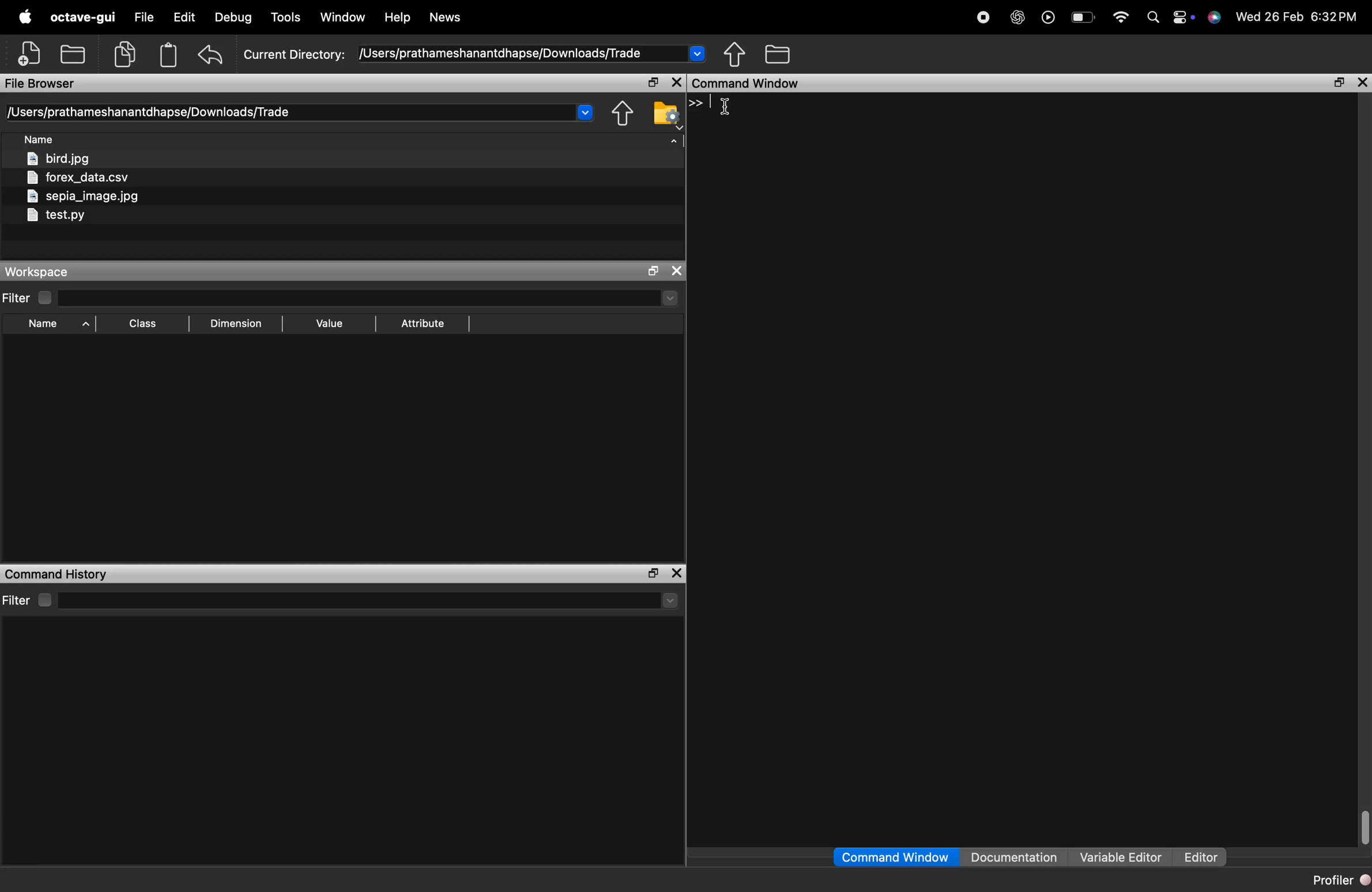 This screenshot has height=892, width=1372. I want to click on command window, so click(896, 857).